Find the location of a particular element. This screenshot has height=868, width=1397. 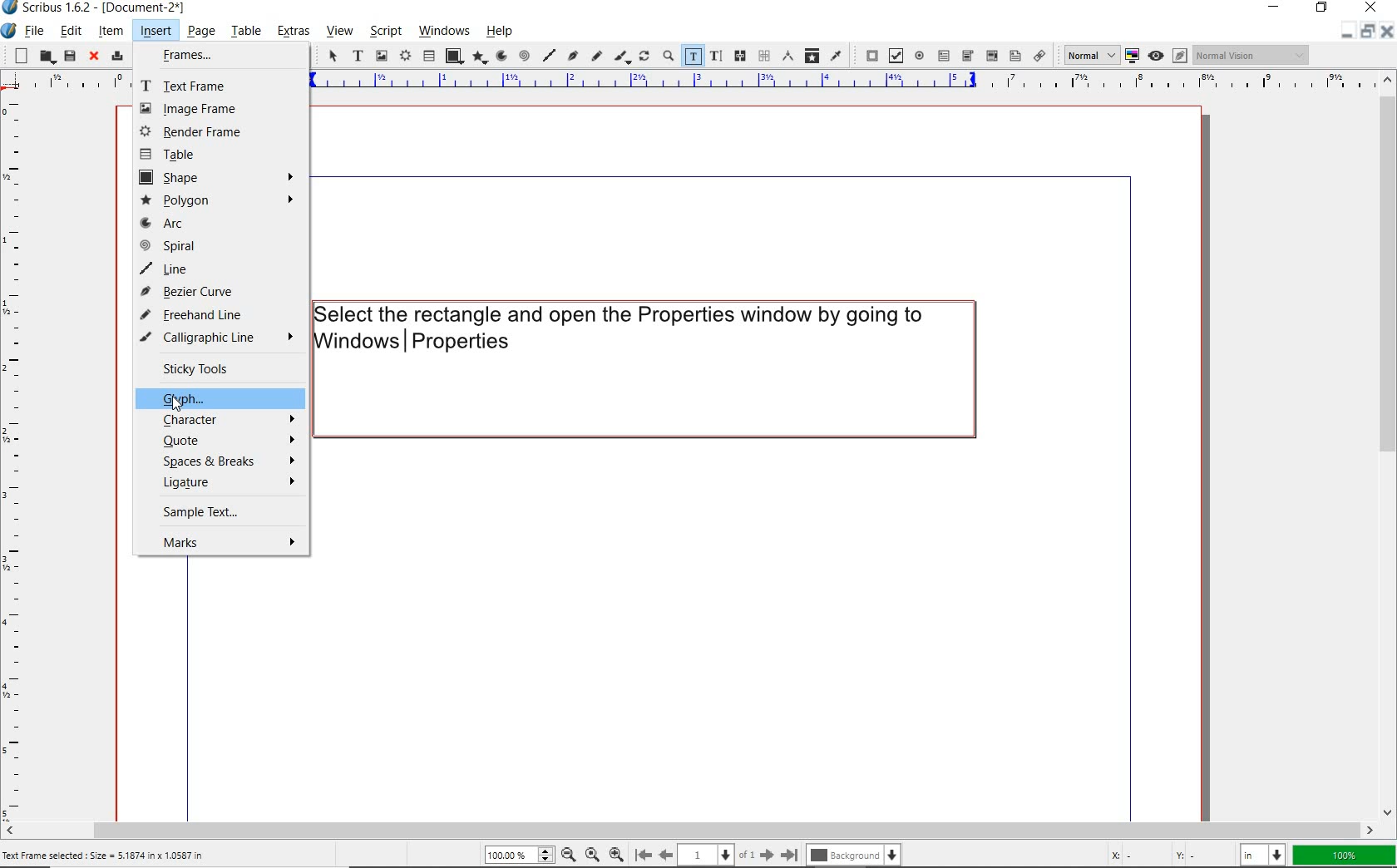

freehand line is located at coordinates (597, 57).